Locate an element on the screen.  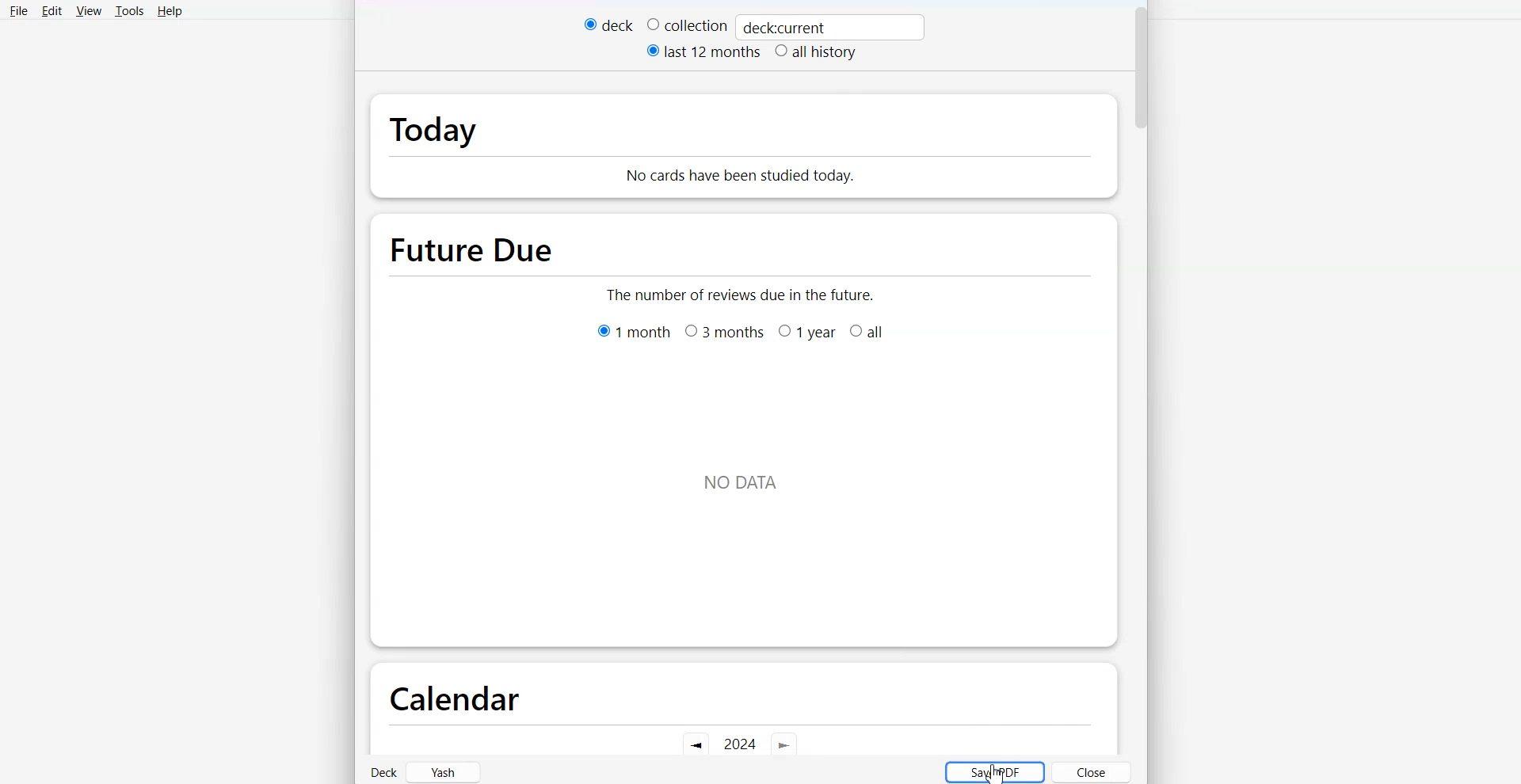
Yash is located at coordinates (445, 771).